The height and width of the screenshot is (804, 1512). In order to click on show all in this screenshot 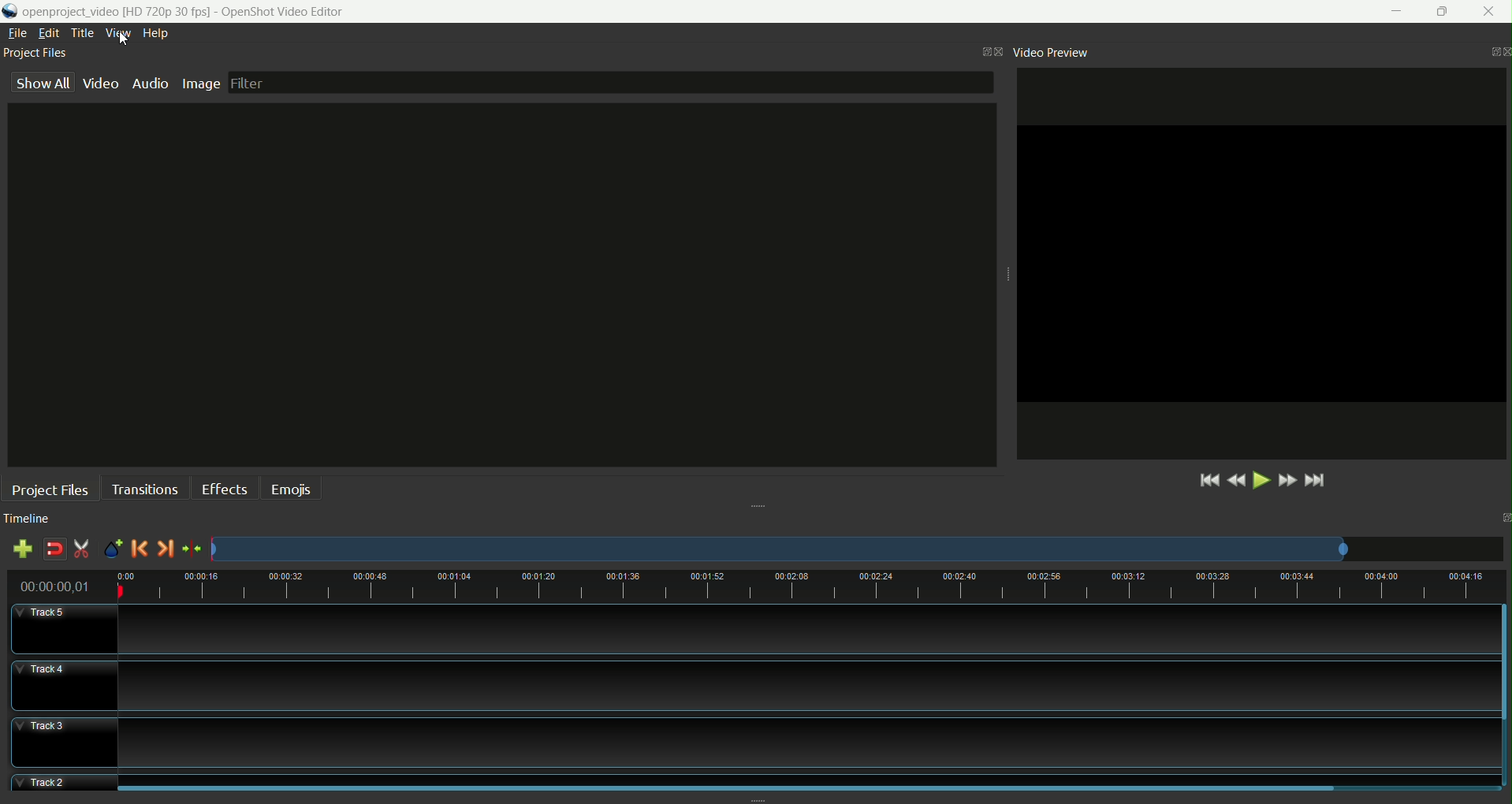, I will do `click(42, 83)`.